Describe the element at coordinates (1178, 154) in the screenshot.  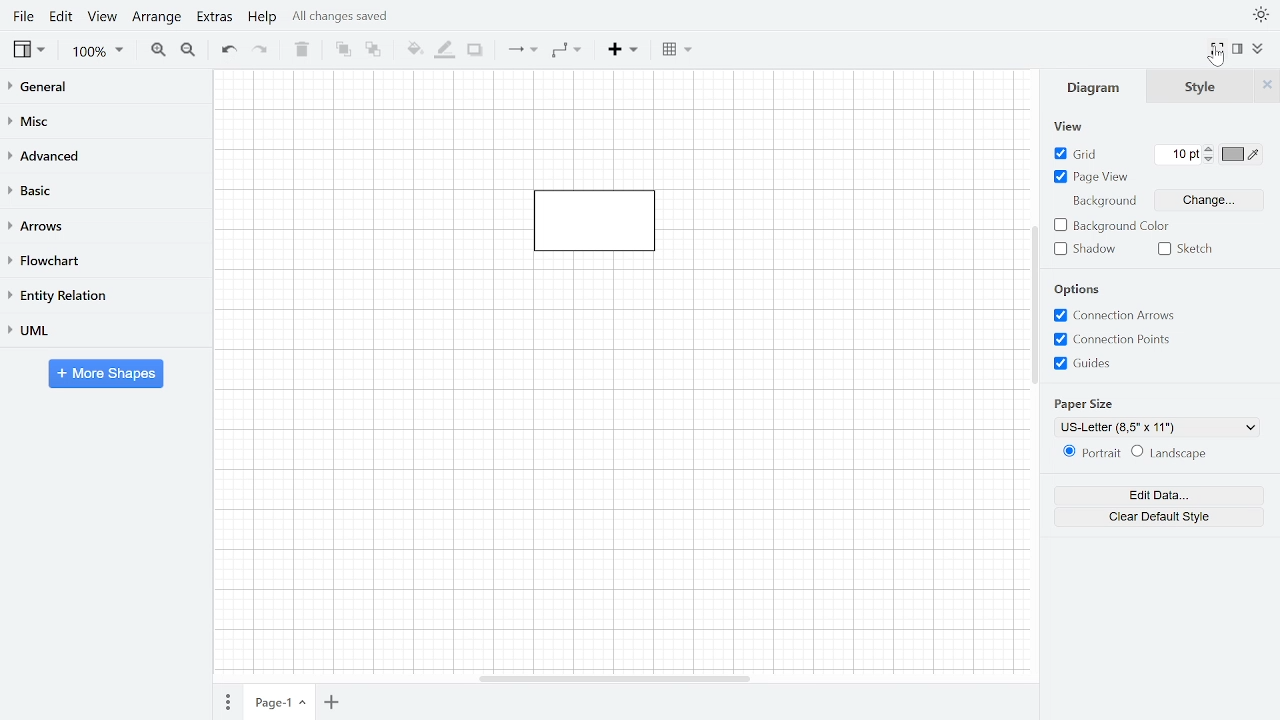
I see `Grid pt` at that location.